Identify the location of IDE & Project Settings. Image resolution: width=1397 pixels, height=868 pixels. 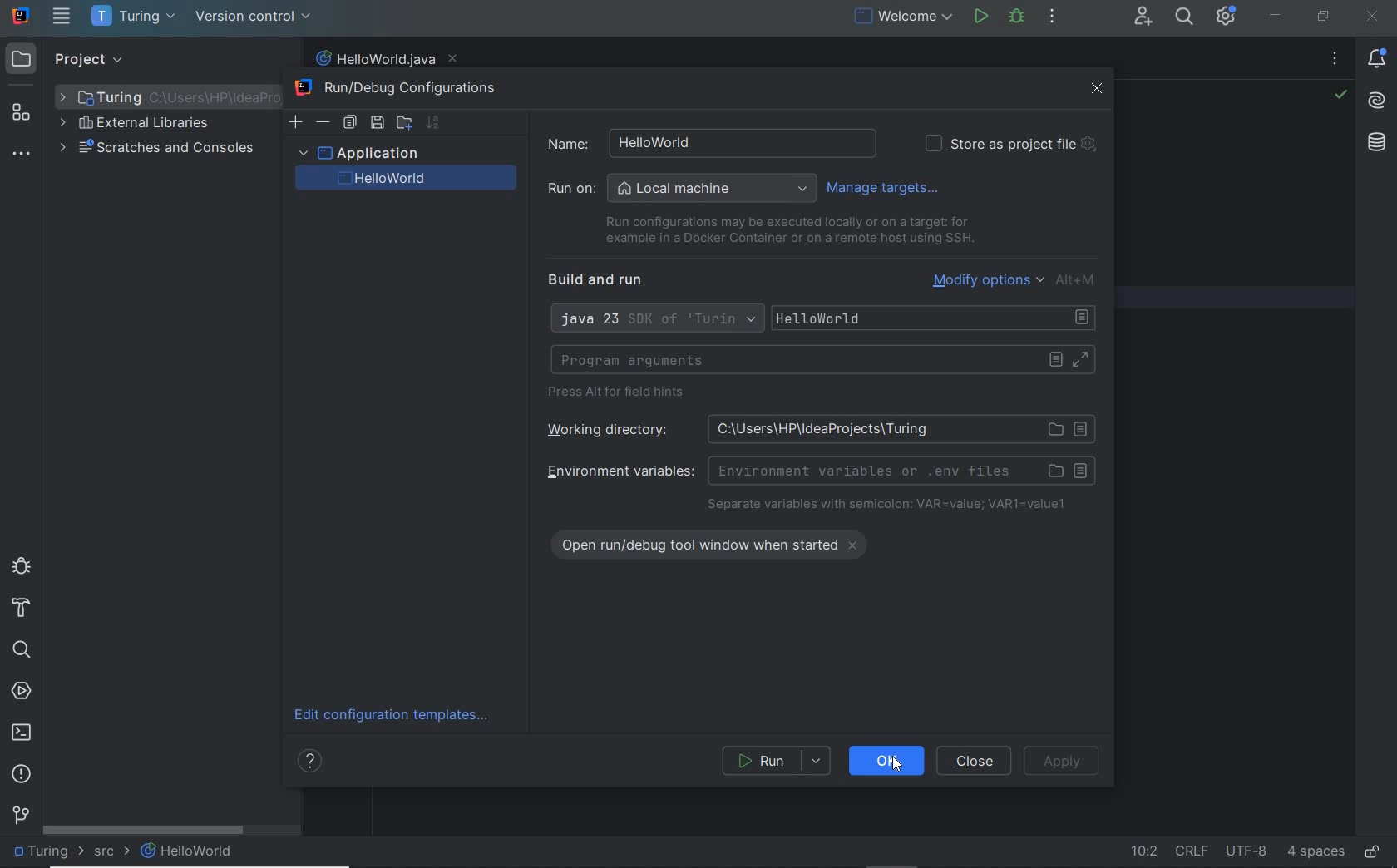
(1226, 16).